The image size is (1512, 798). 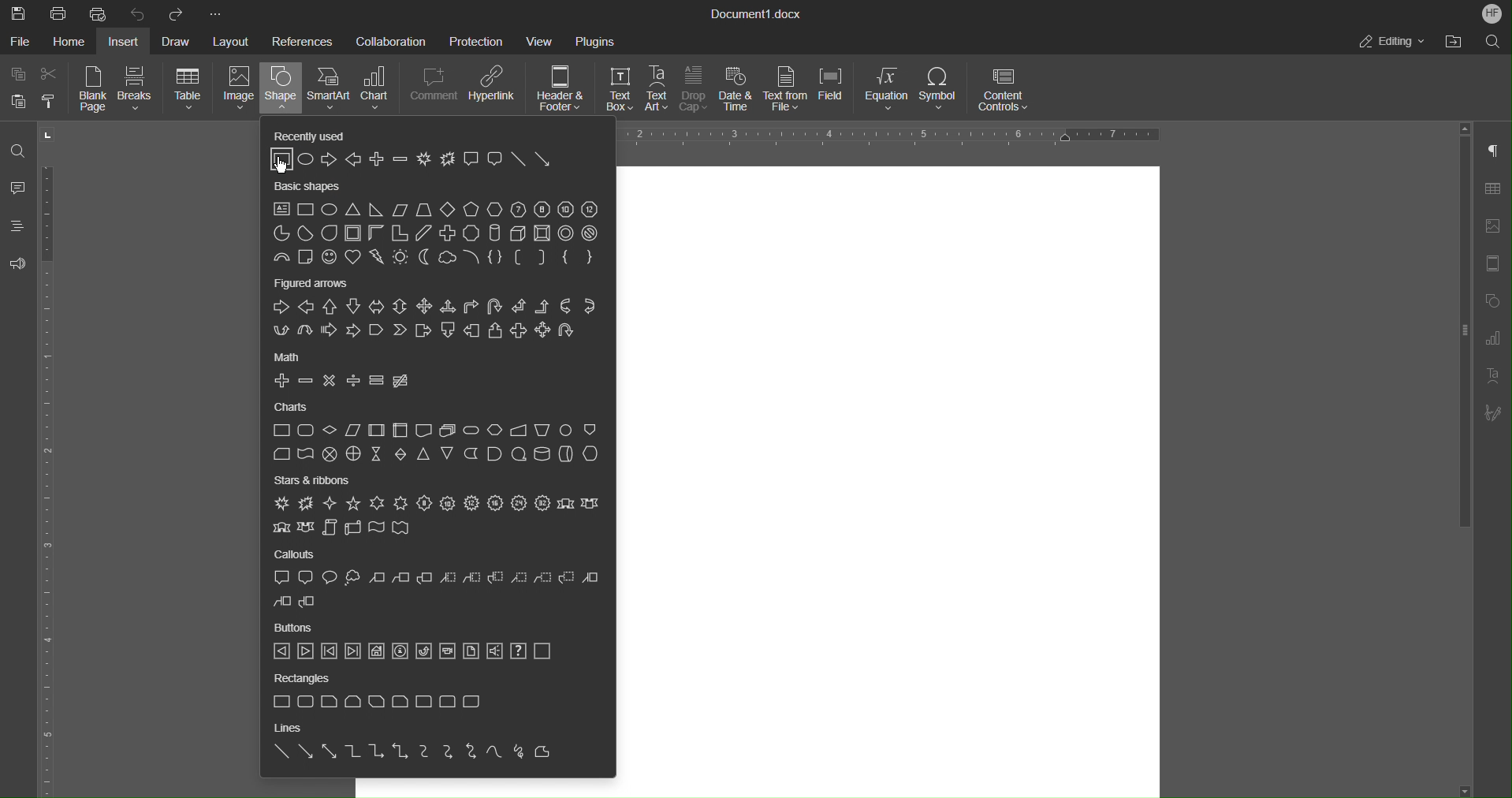 What do you see at coordinates (495, 91) in the screenshot?
I see `Hyperlink` at bounding box center [495, 91].